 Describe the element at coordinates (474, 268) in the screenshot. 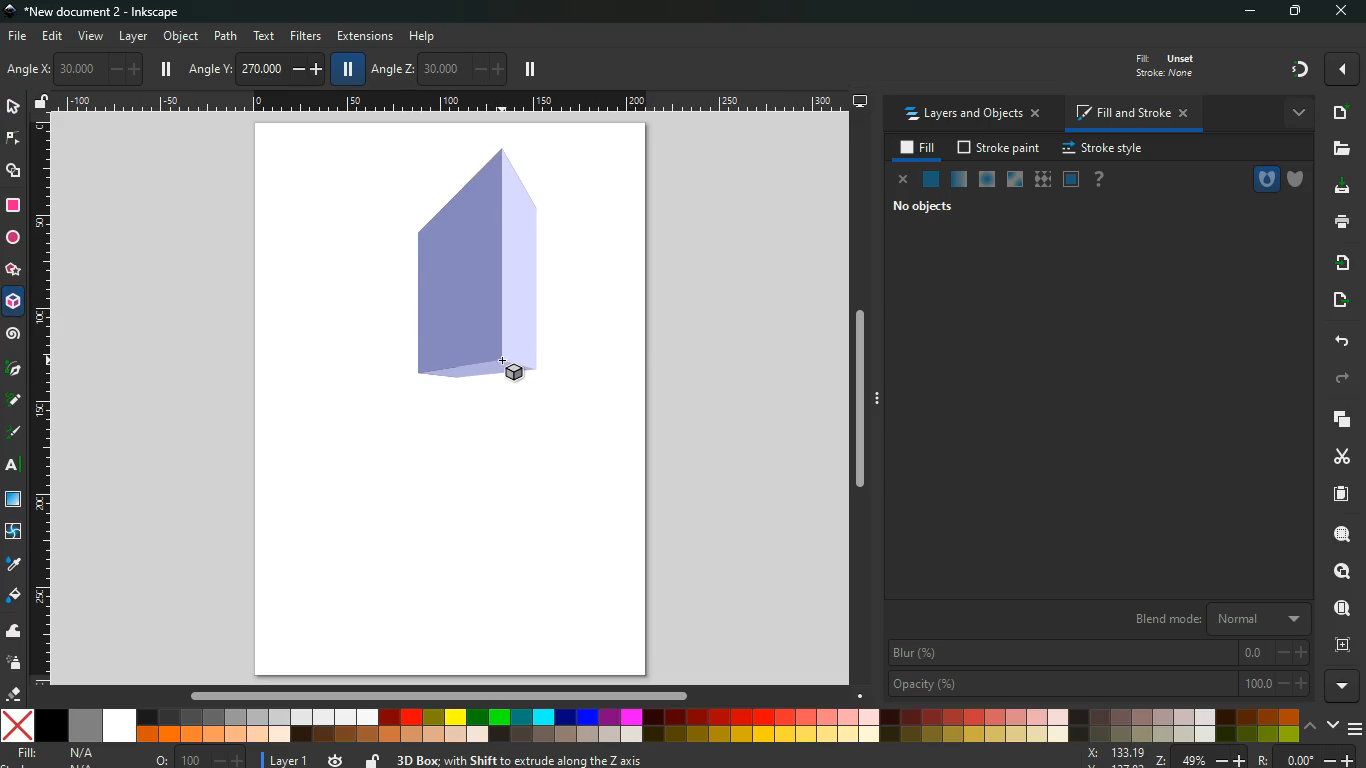

I see `Image` at that location.